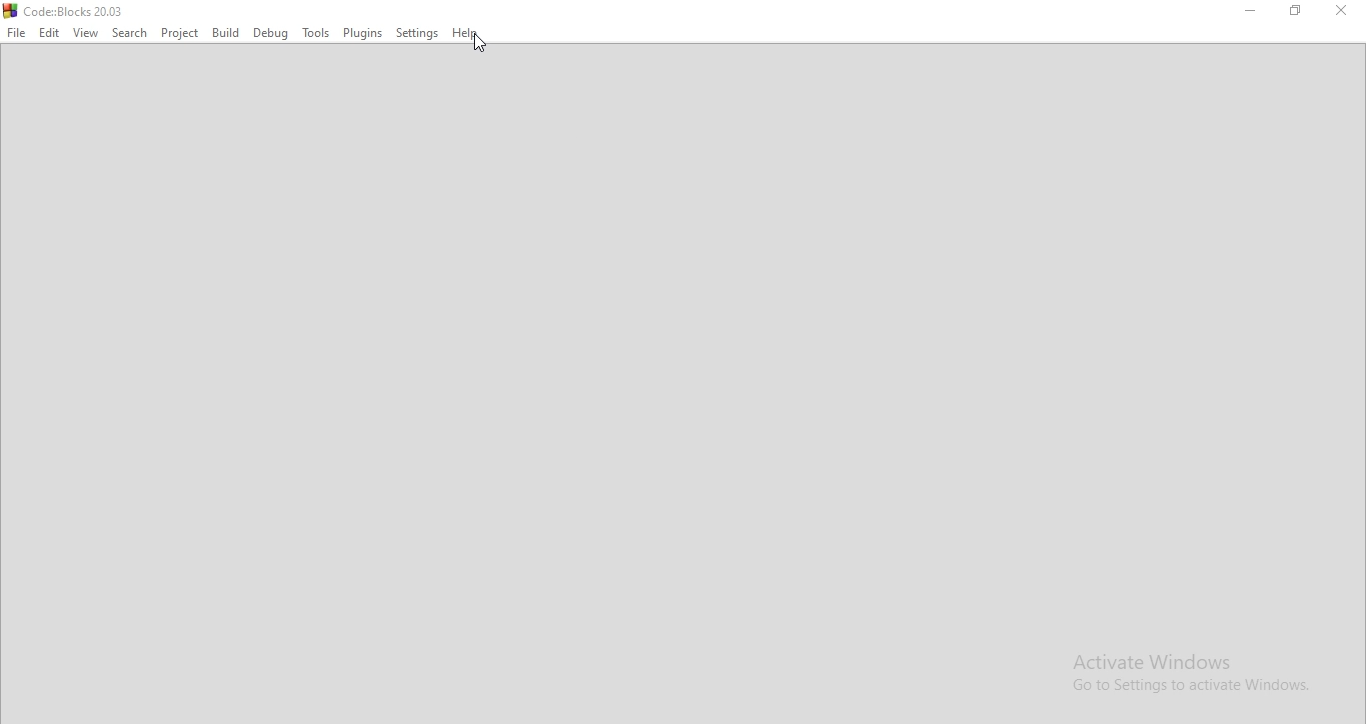  Describe the element at coordinates (226, 34) in the screenshot. I see `Build ` at that location.